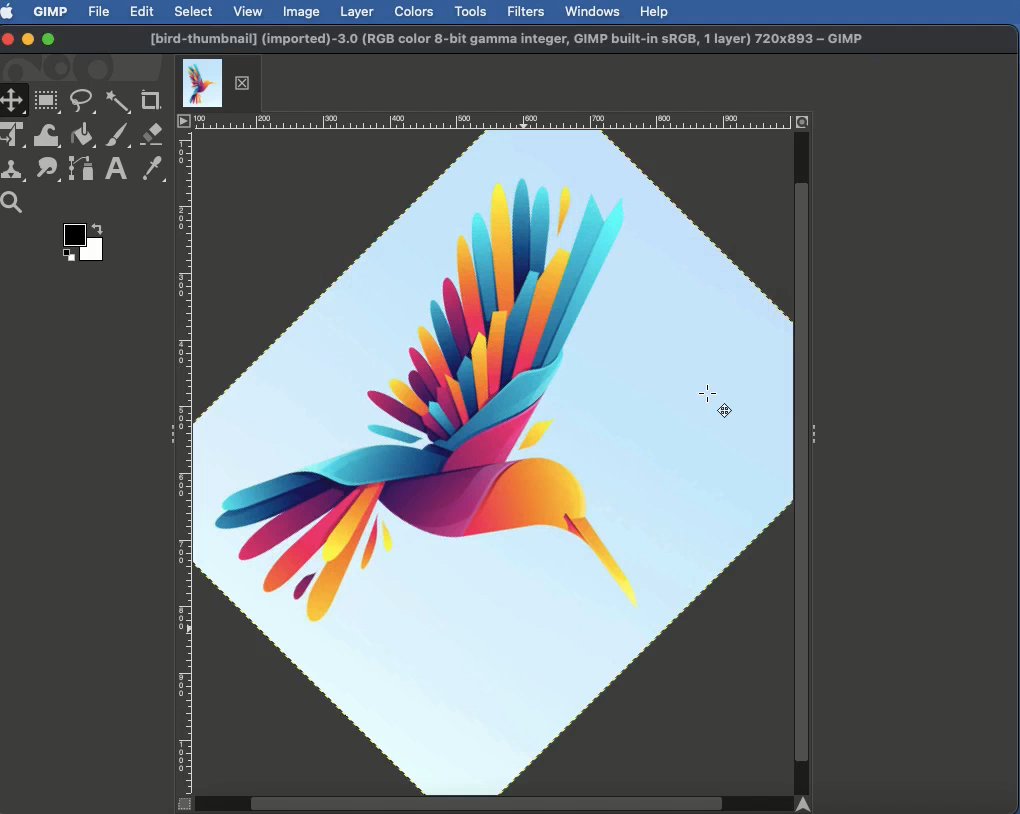 This screenshot has height=814, width=1020. I want to click on Smudge tool, so click(45, 169).